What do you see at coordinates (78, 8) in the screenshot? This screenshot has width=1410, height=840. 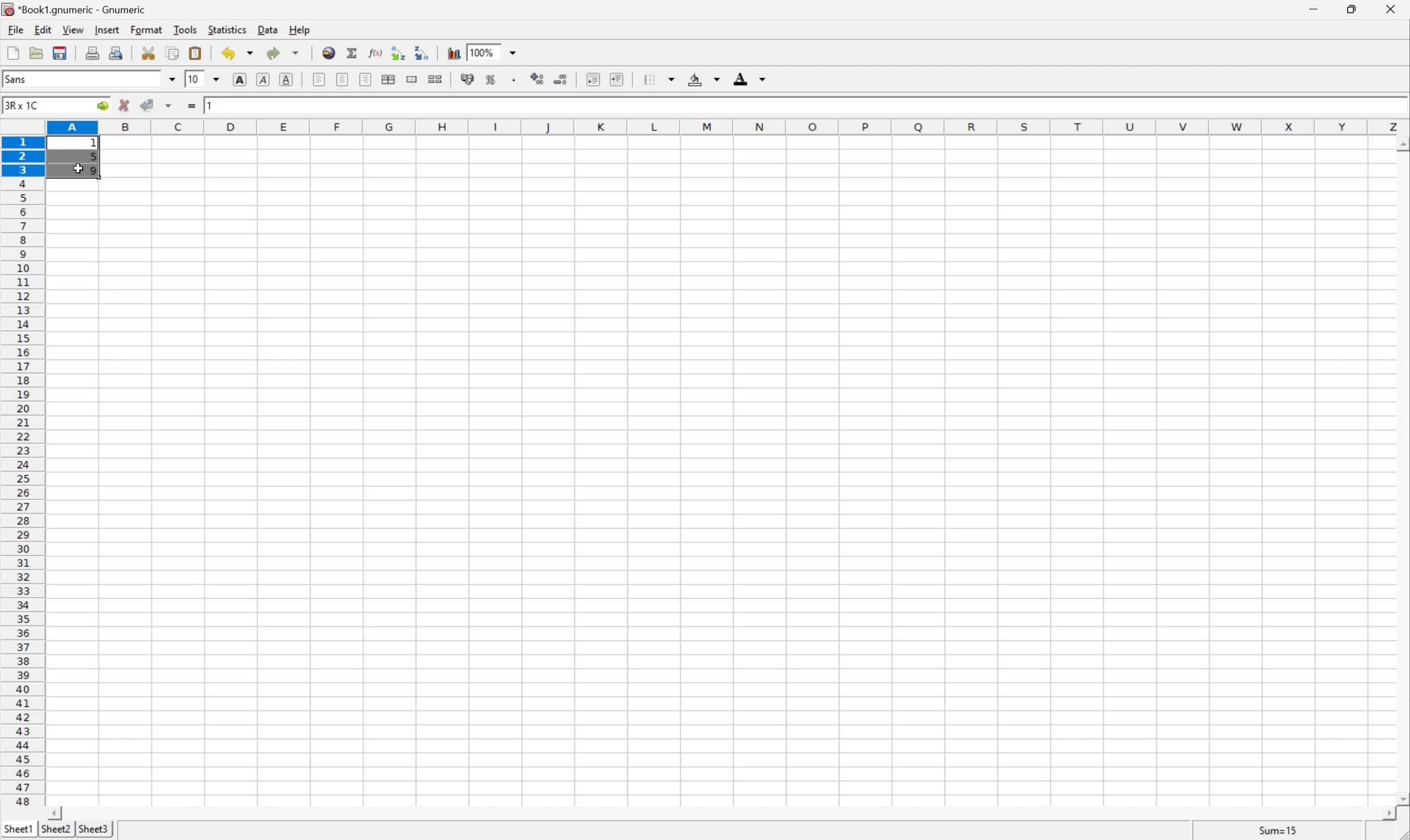 I see `application name` at bounding box center [78, 8].